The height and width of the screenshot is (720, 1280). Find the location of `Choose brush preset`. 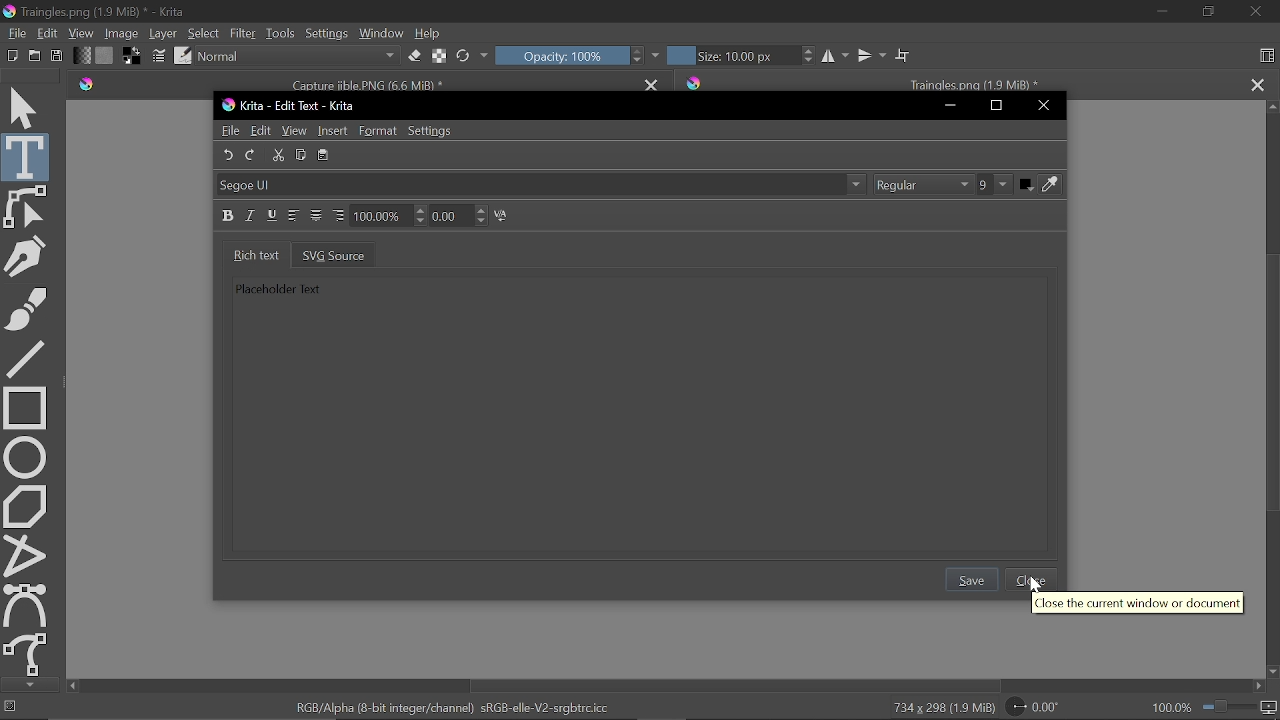

Choose brush preset is located at coordinates (183, 55).